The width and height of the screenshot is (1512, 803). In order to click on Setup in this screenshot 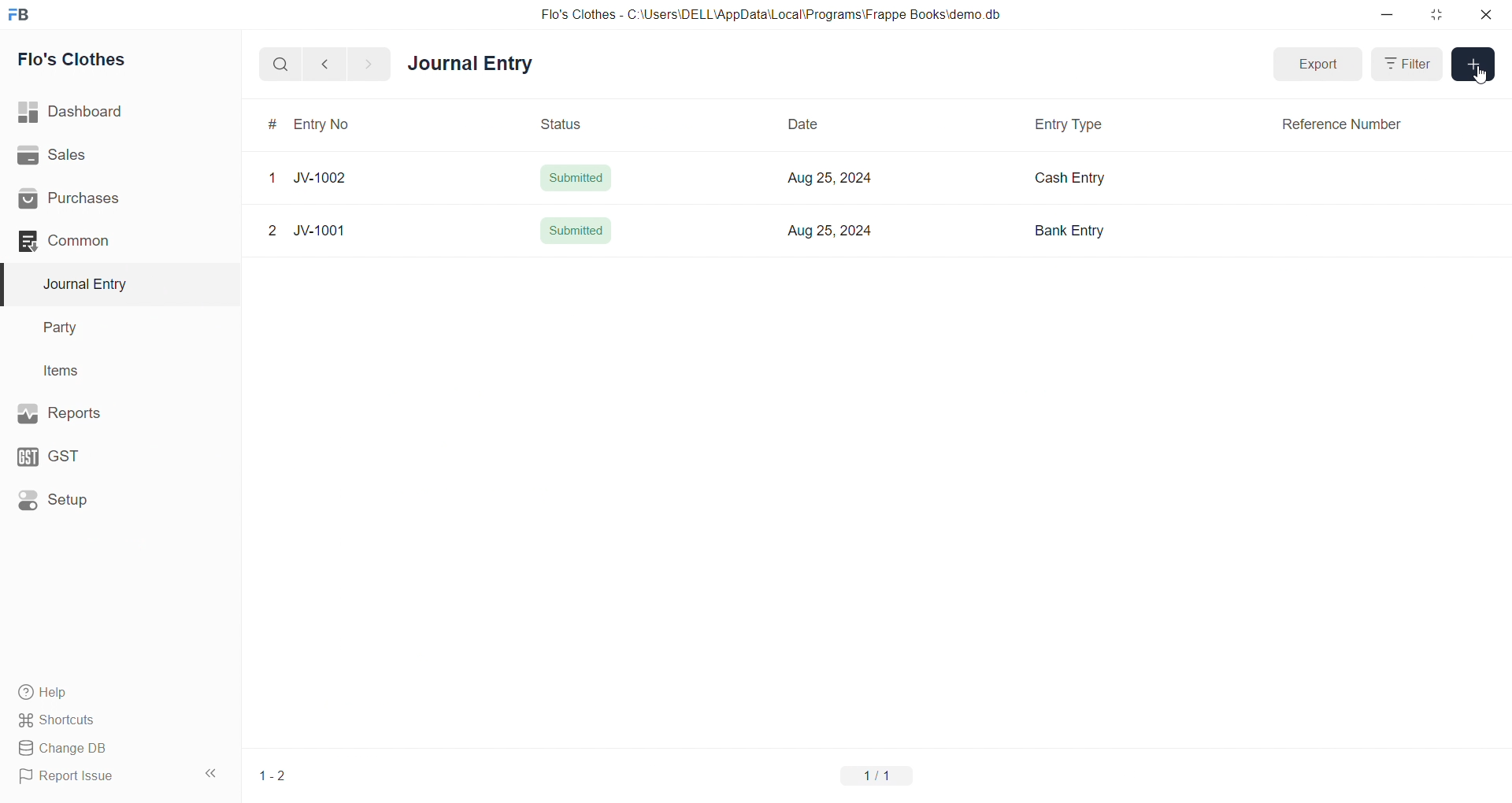, I will do `click(111, 498)`.